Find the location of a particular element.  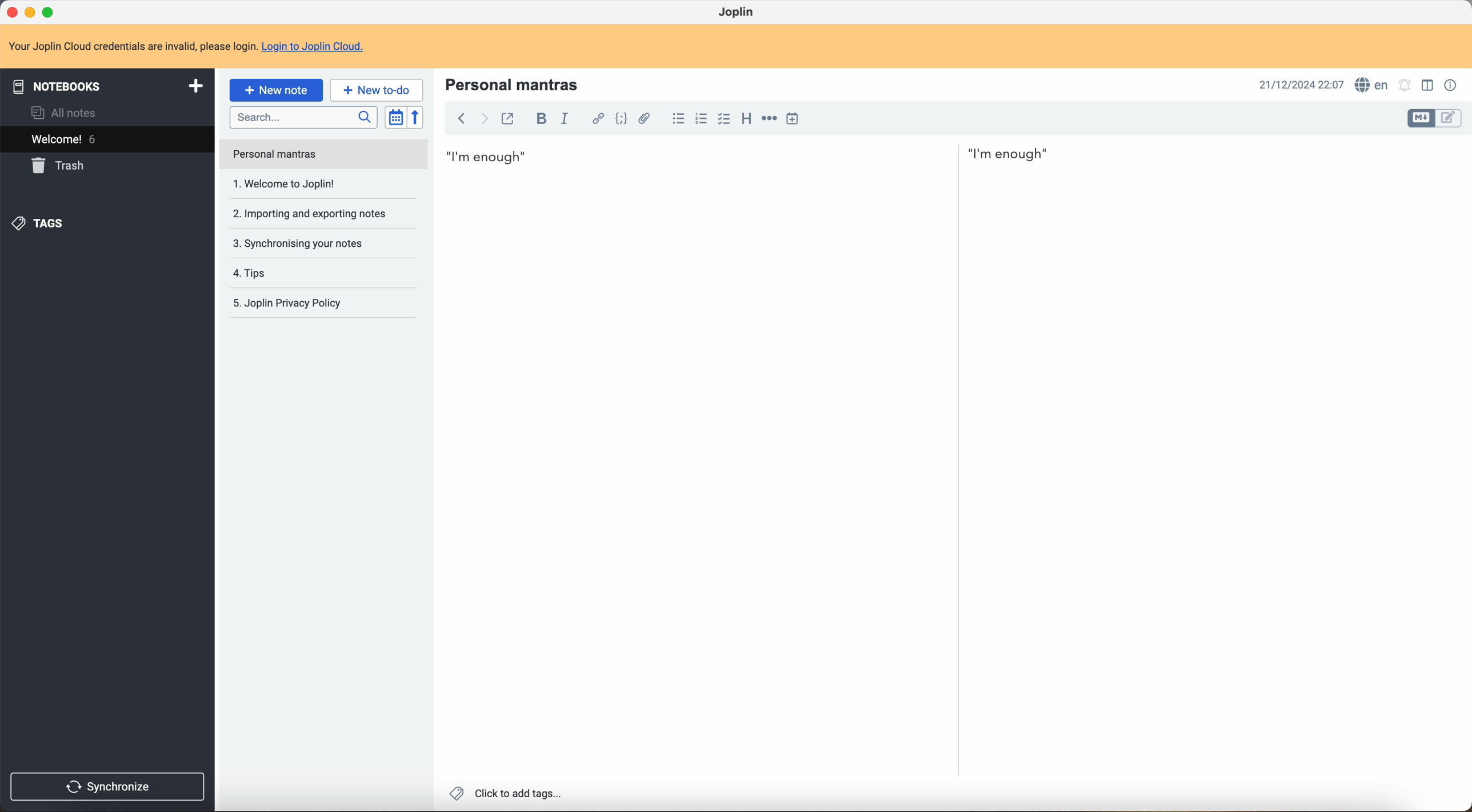

note is located at coordinates (187, 47).